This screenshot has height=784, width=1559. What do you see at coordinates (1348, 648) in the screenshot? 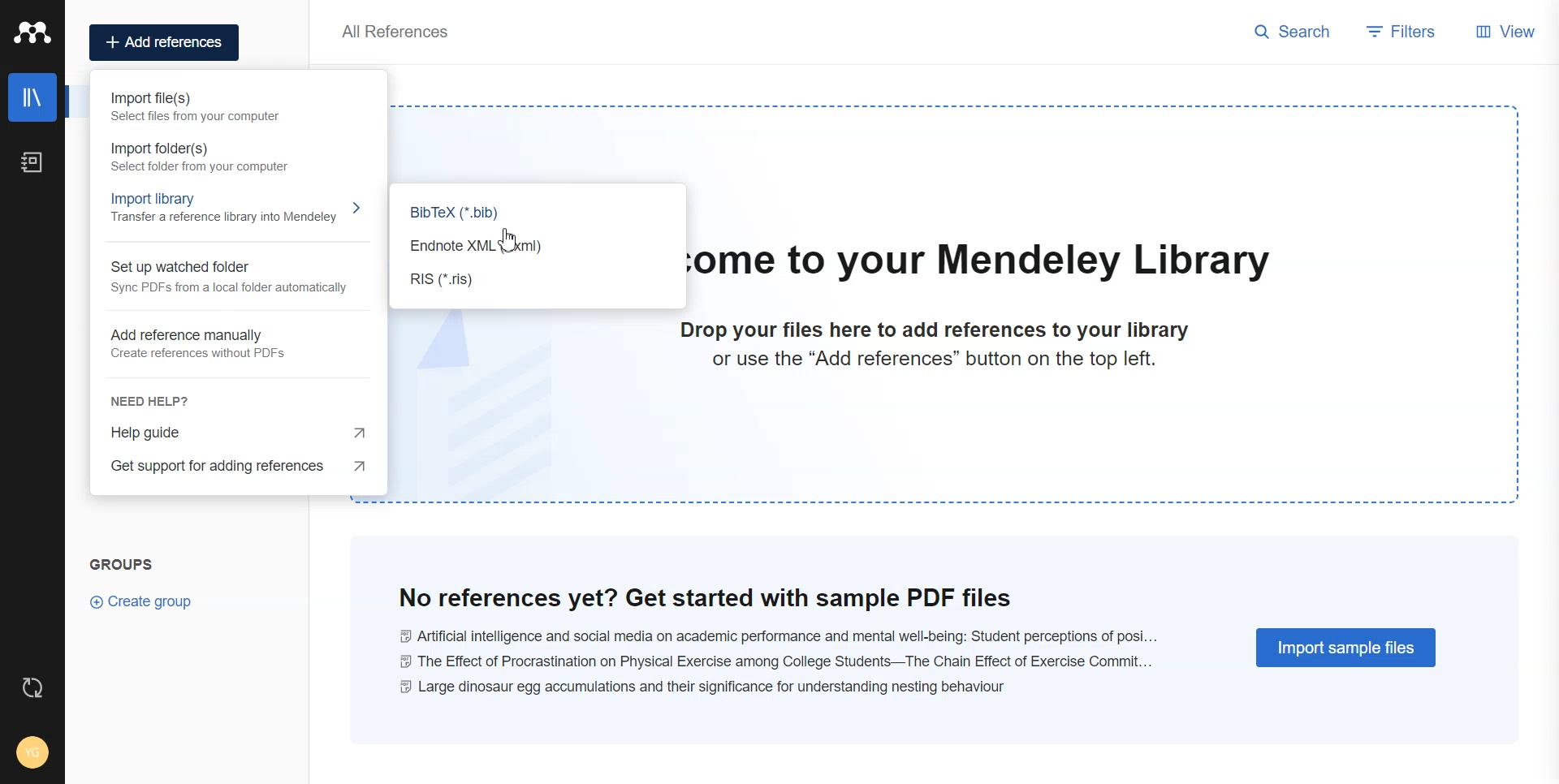
I see `Import Sample Files` at bounding box center [1348, 648].